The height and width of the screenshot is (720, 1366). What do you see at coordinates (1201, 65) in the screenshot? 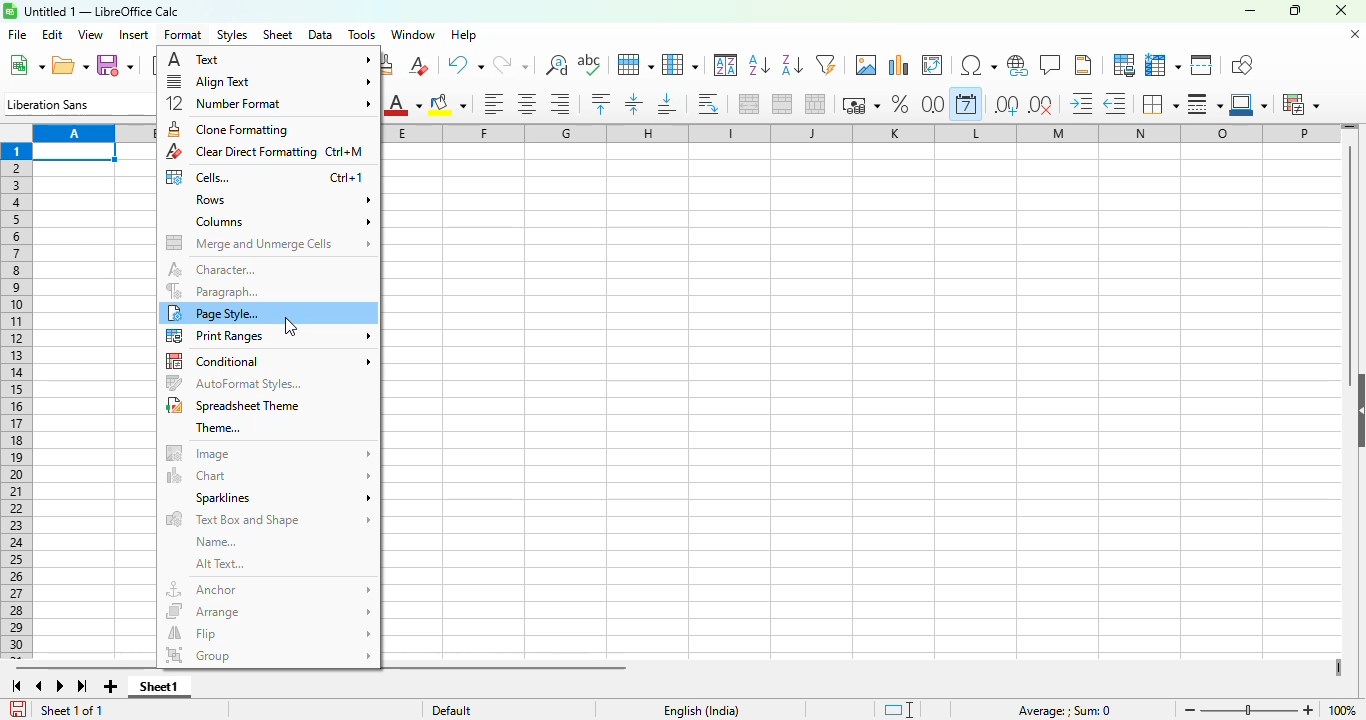
I see `split window` at bounding box center [1201, 65].